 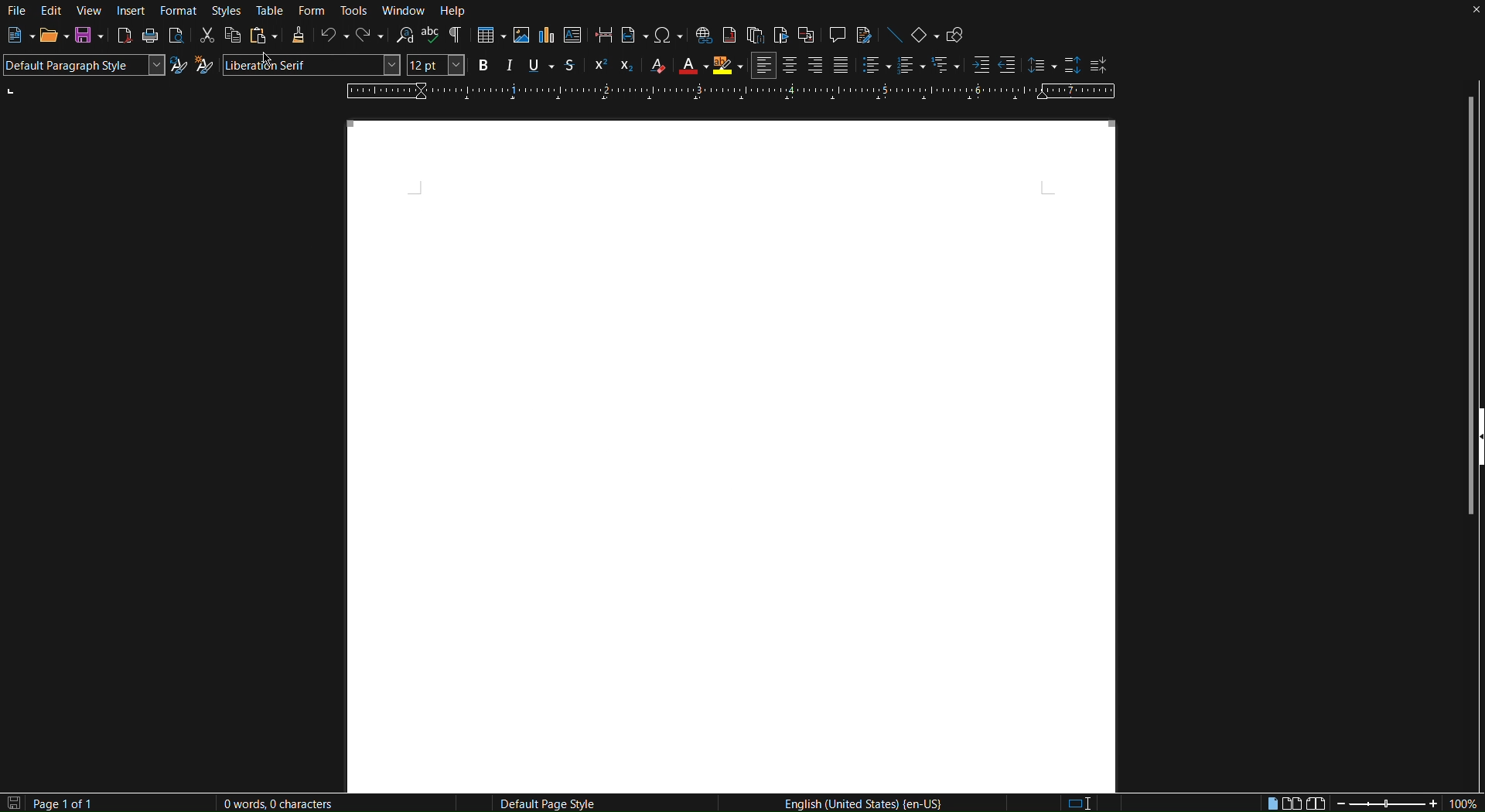 I want to click on Insert Cross-Reference, so click(x=807, y=37).